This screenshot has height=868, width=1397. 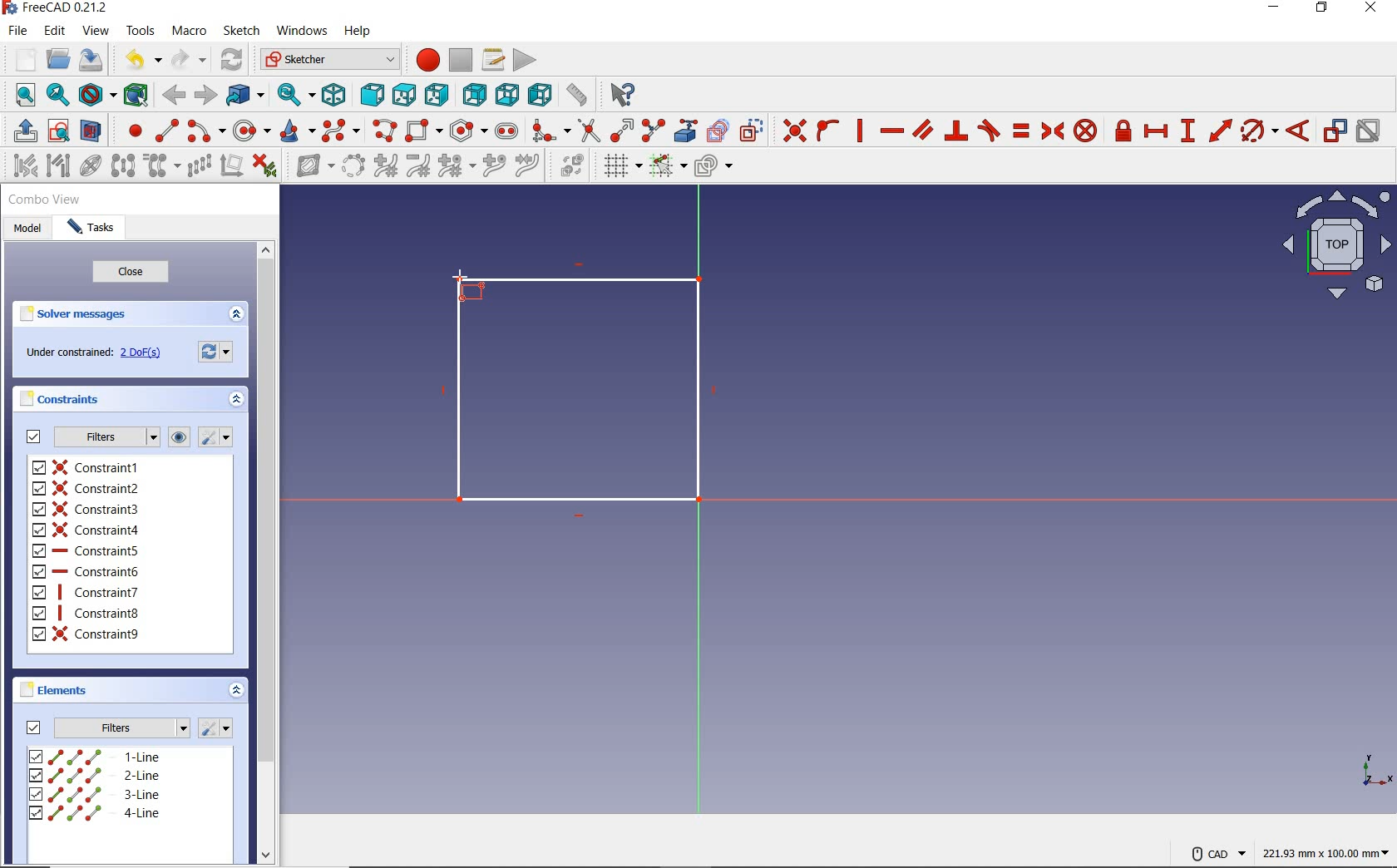 What do you see at coordinates (246, 97) in the screenshot?
I see `got to linked object` at bounding box center [246, 97].